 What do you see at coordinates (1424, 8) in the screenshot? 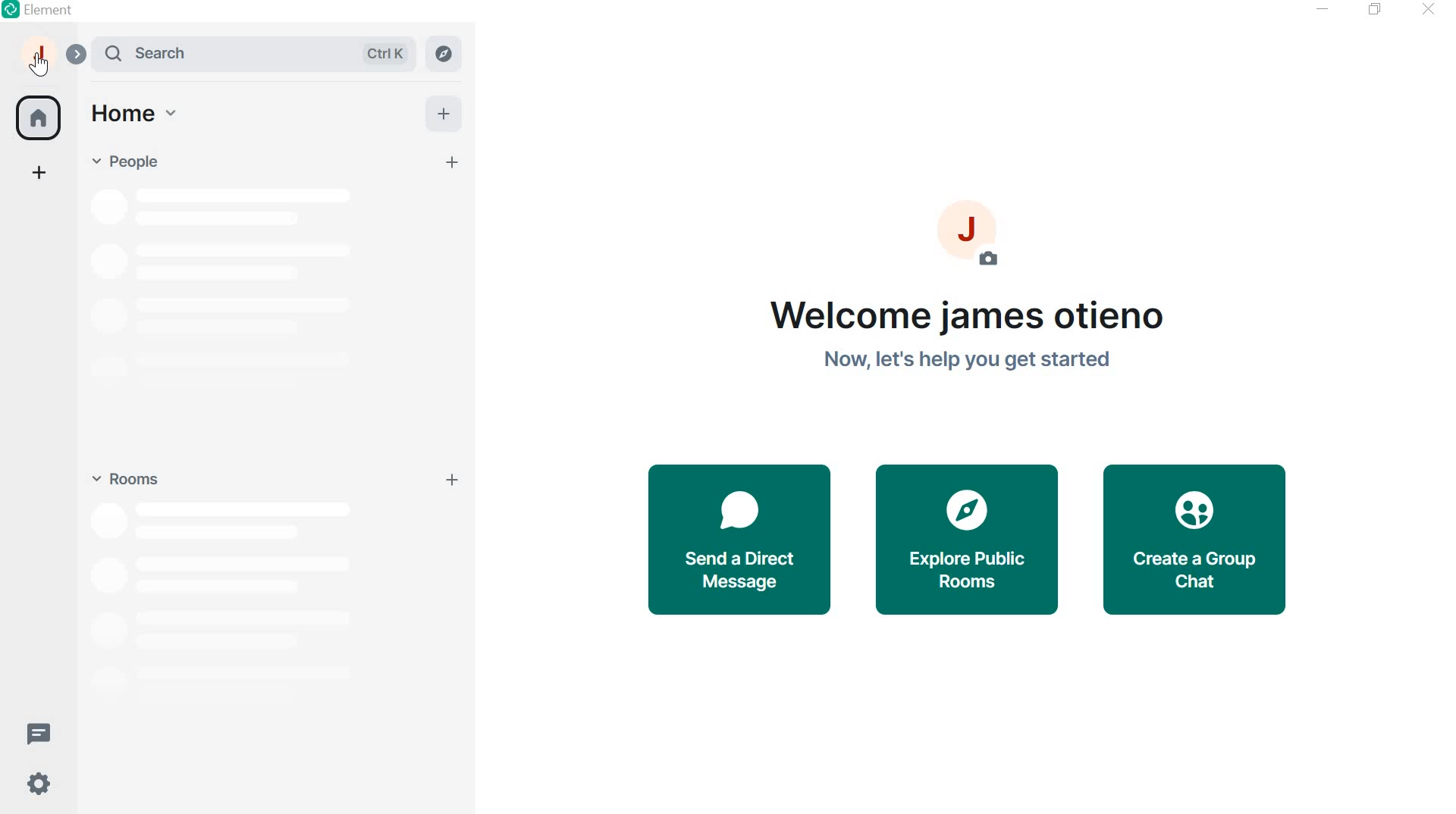
I see `CLOSE` at bounding box center [1424, 8].